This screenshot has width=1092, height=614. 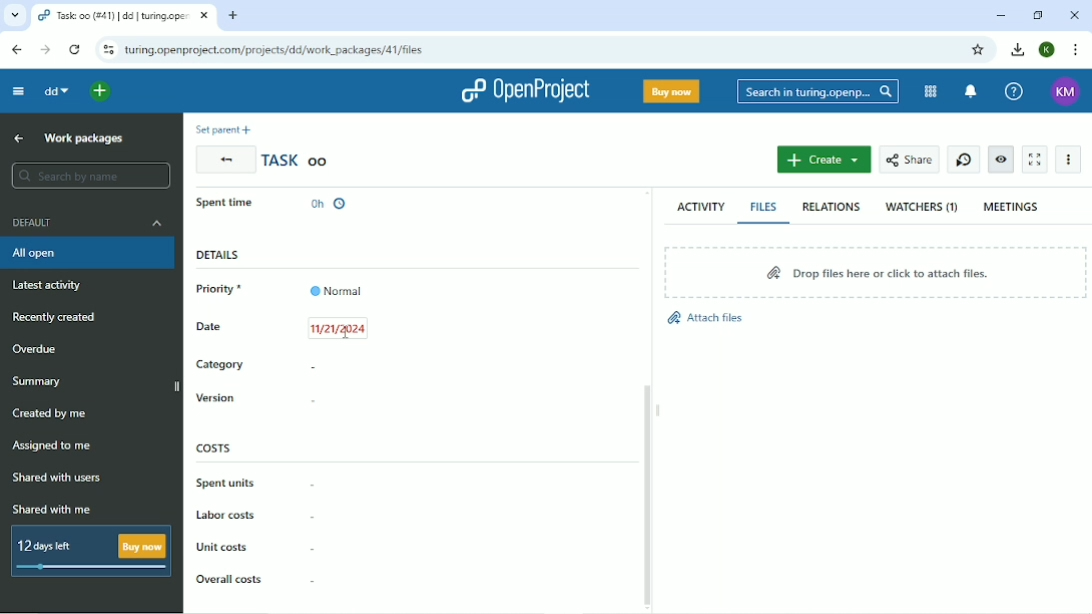 What do you see at coordinates (1014, 205) in the screenshot?
I see `Meetings` at bounding box center [1014, 205].